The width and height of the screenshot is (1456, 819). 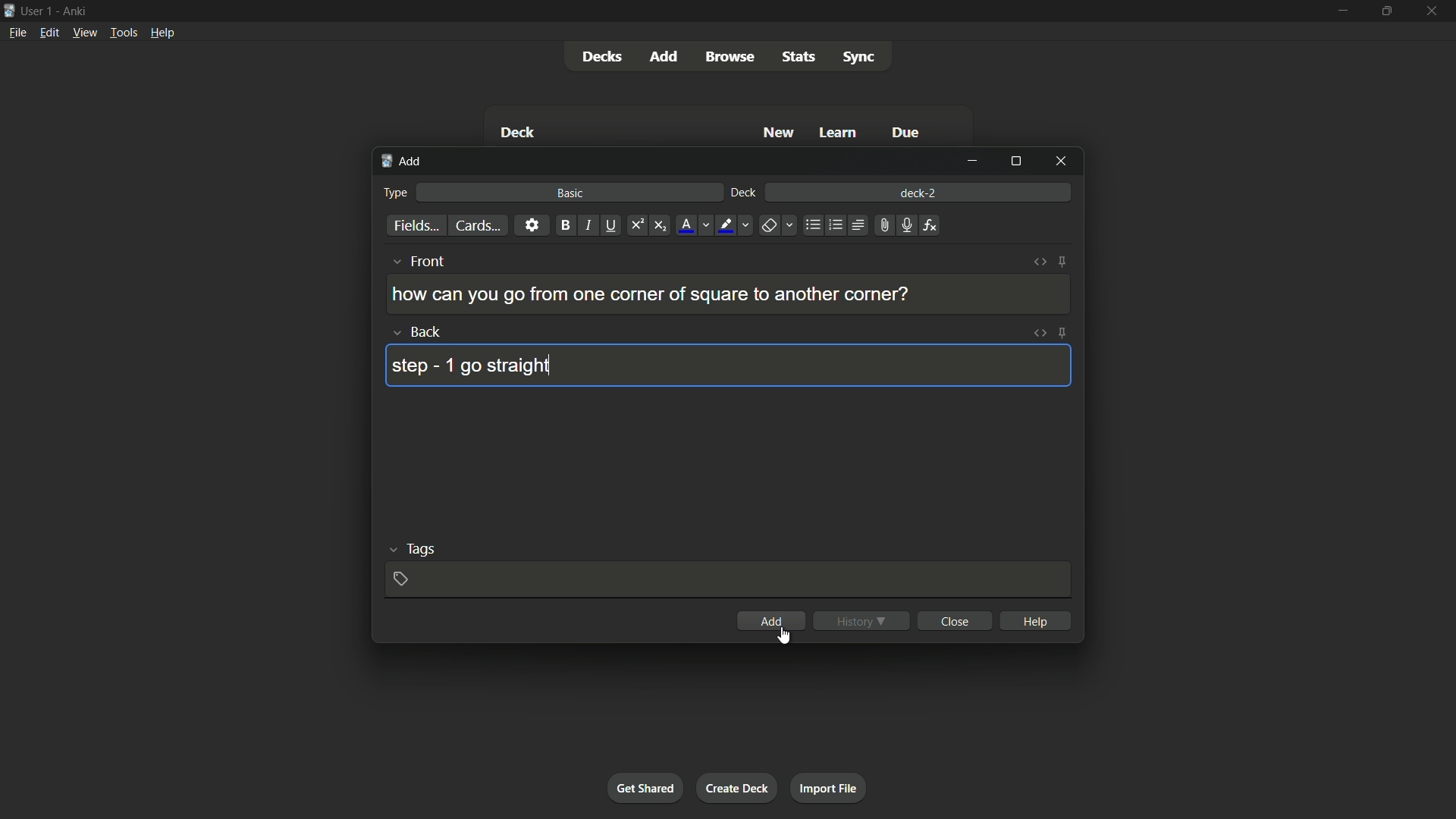 I want to click on bold, so click(x=564, y=225).